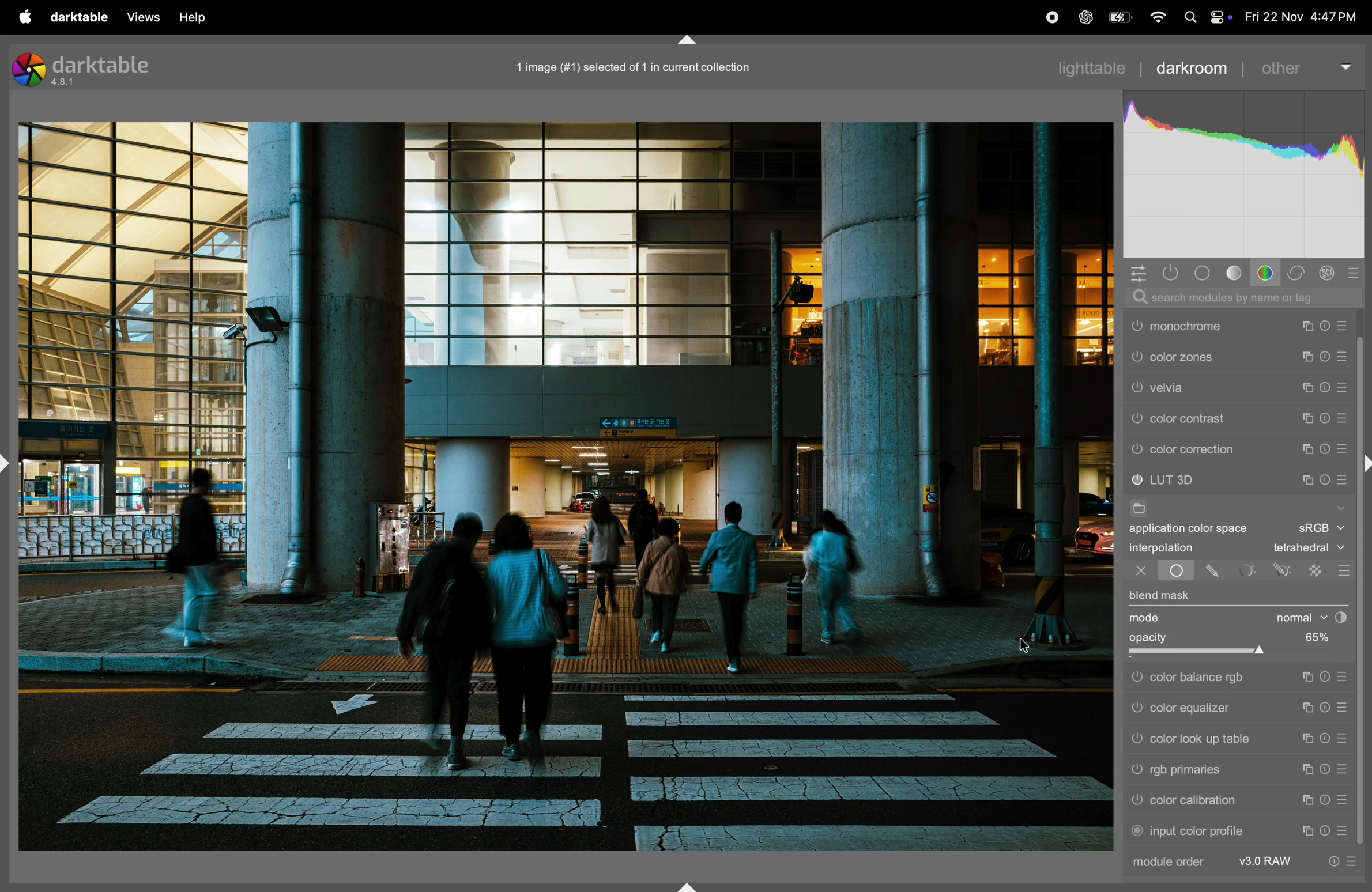 The width and height of the screenshot is (1372, 892). What do you see at coordinates (1047, 17) in the screenshot?
I see `record` at bounding box center [1047, 17].